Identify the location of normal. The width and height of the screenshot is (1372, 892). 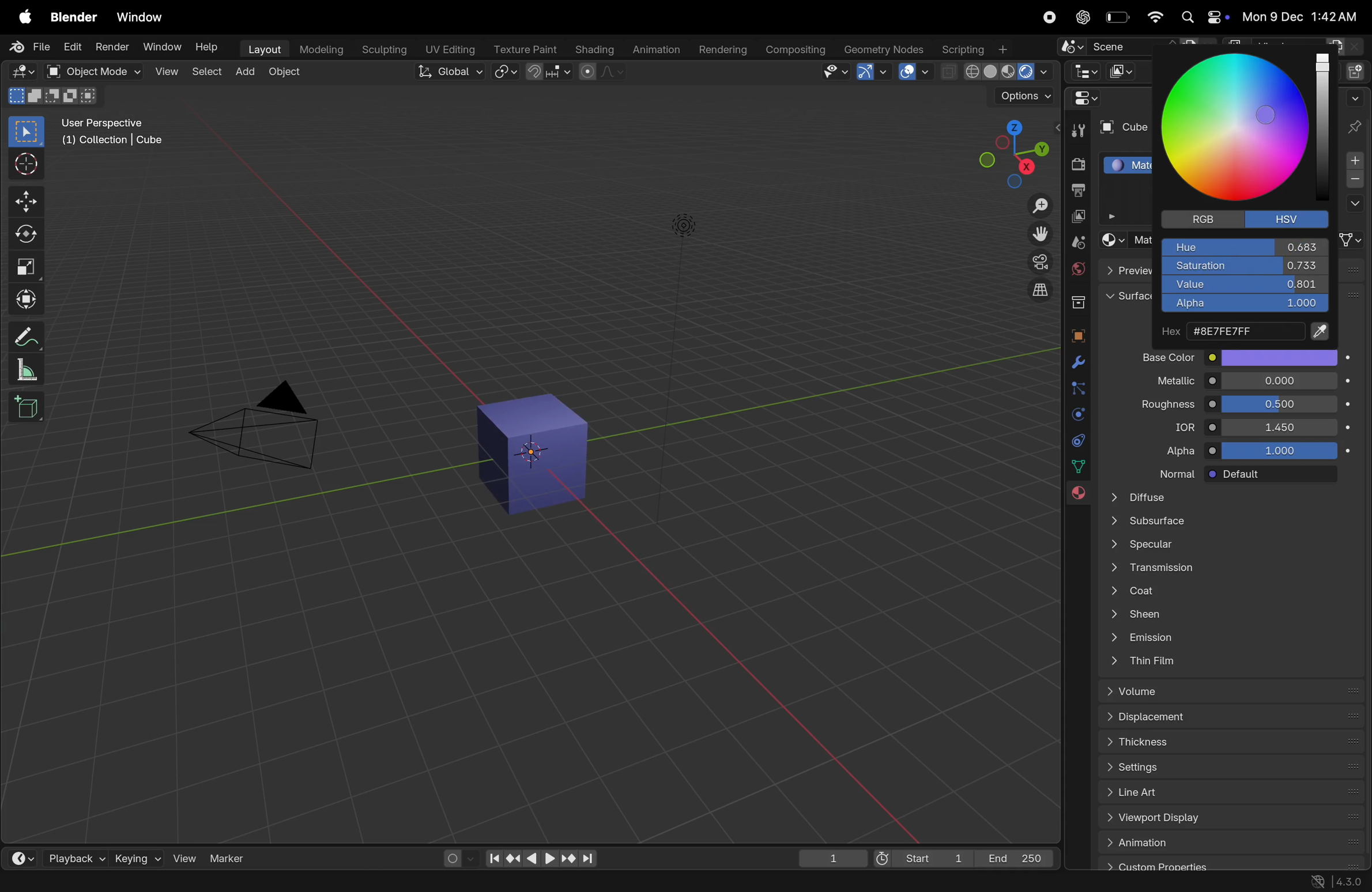
(1166, 473).